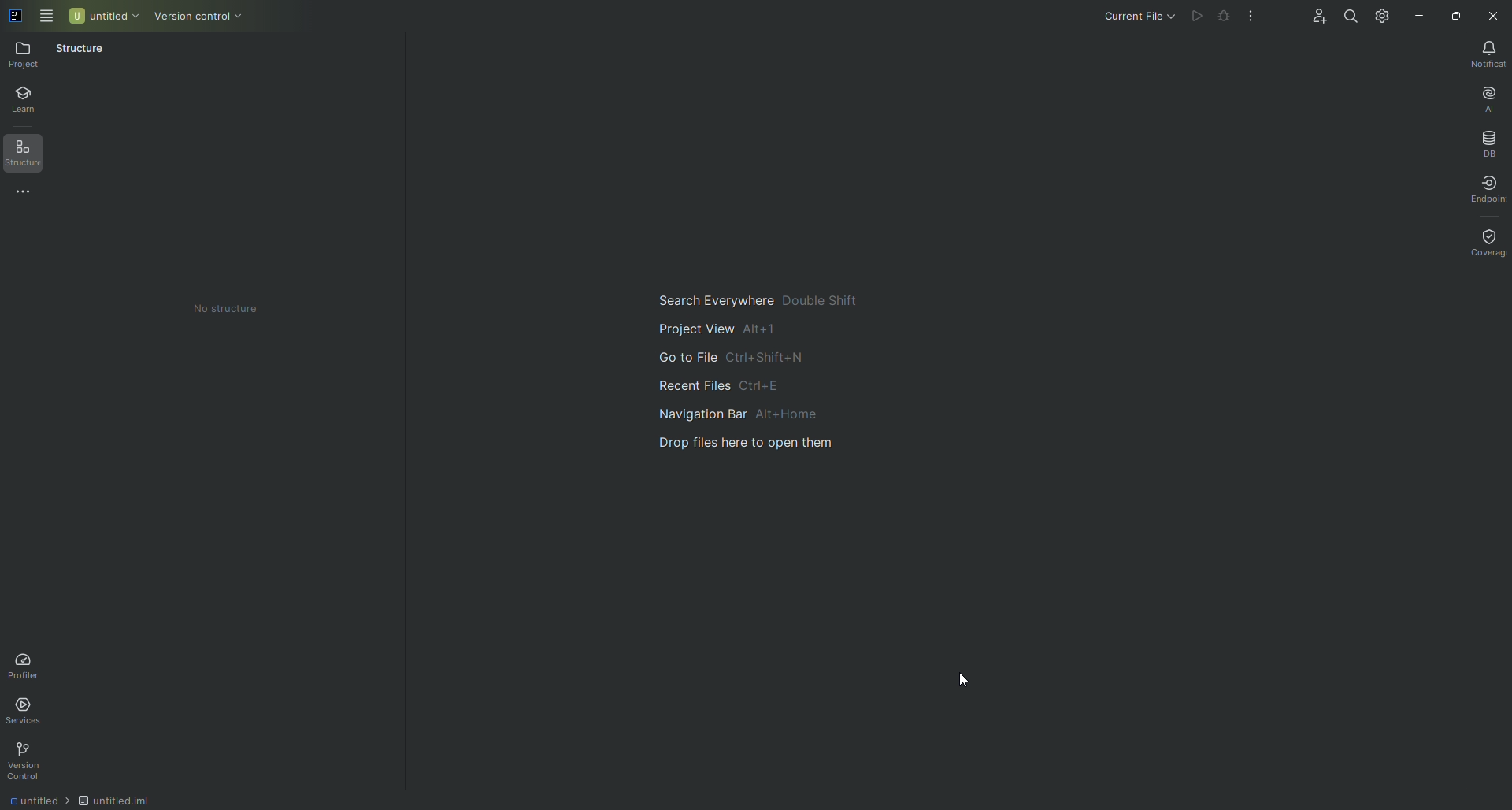  I want to click on Search Everywhere, so click(754, 297).